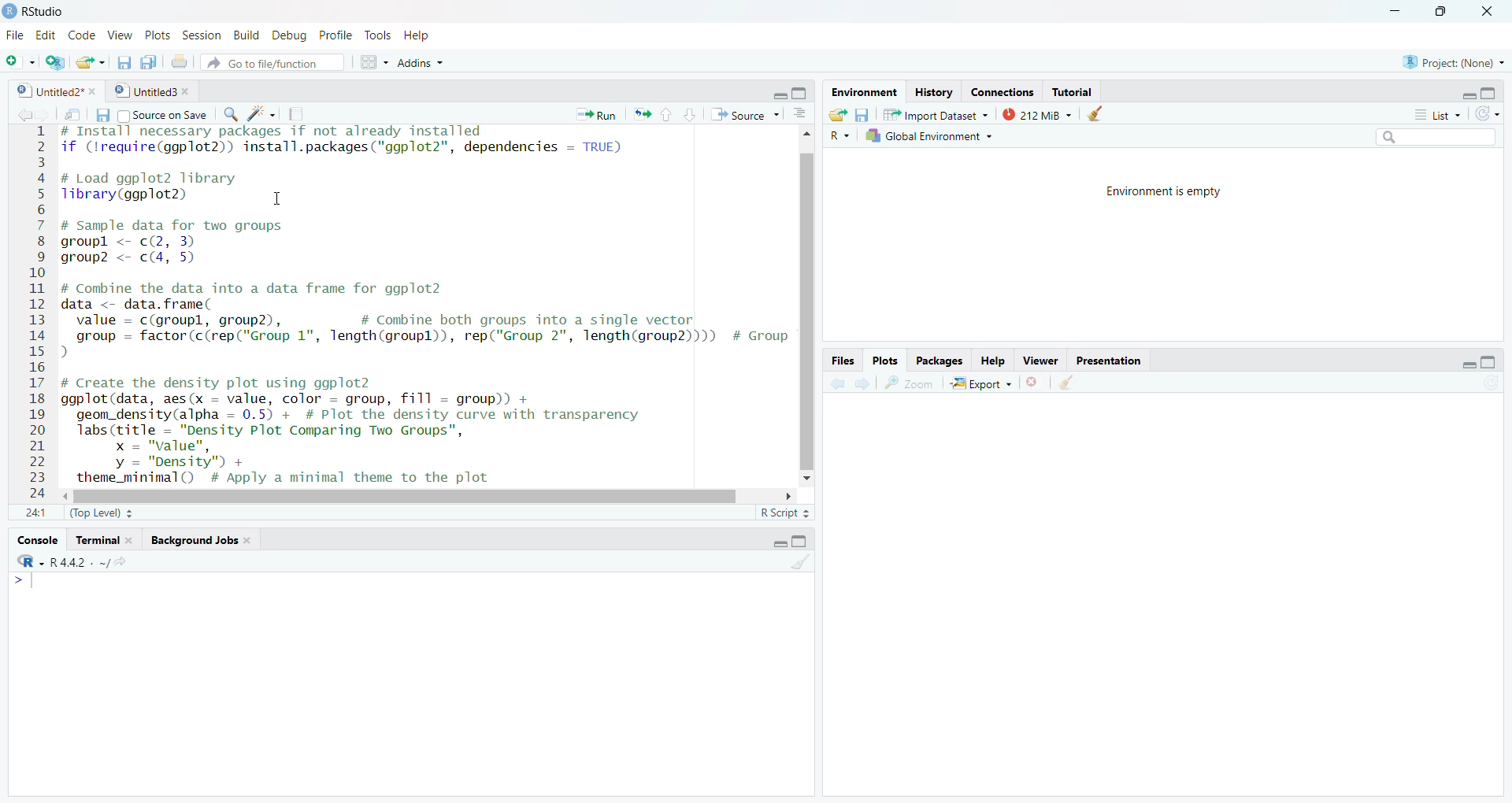  What do you see at coordinates (151, 63) in the screenshot?
I see `save all open documents` at bounding box center [151, 63].